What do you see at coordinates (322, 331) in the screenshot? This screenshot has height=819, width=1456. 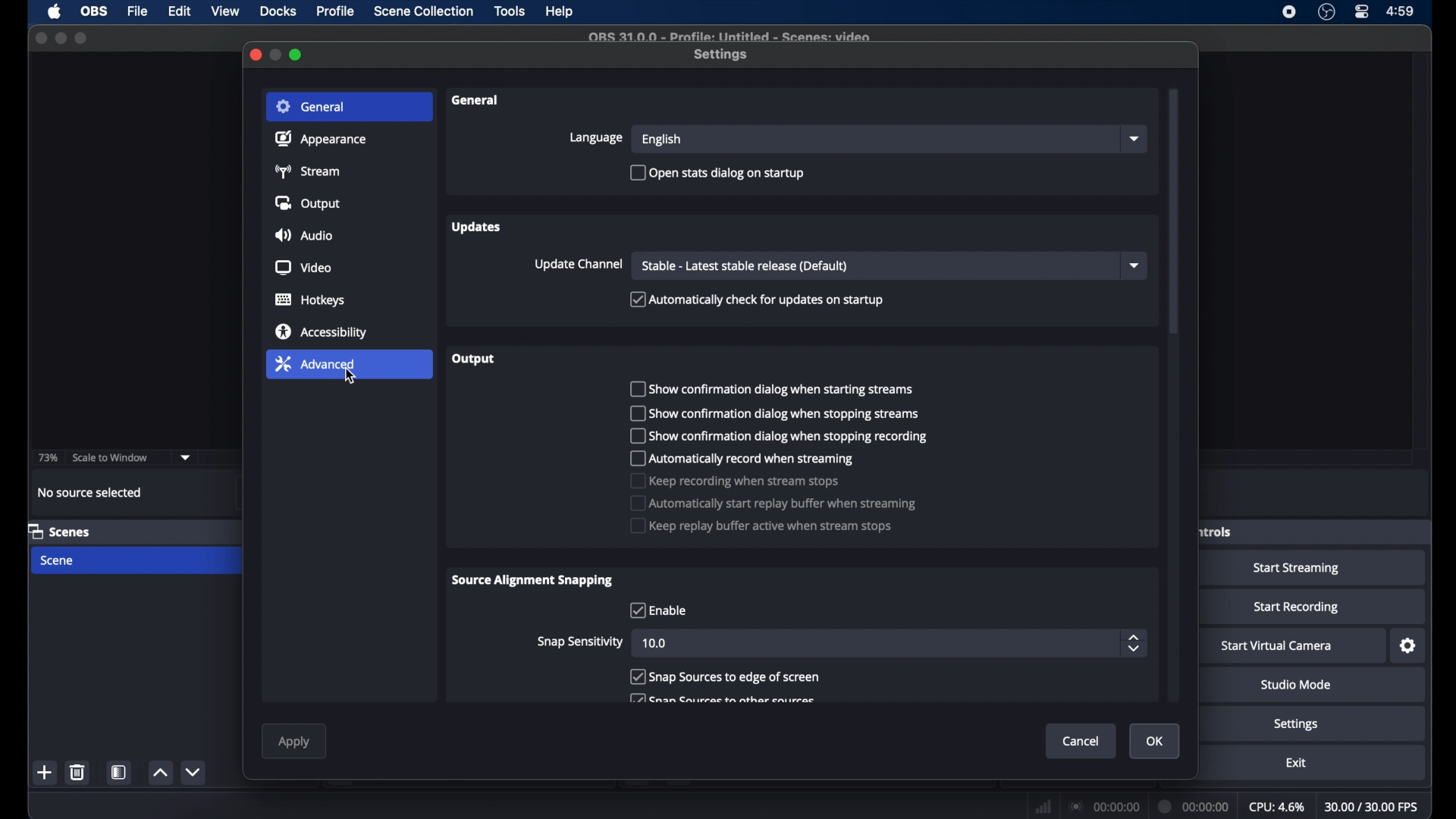 I see `accessibility` at bounding box center [322, 331].